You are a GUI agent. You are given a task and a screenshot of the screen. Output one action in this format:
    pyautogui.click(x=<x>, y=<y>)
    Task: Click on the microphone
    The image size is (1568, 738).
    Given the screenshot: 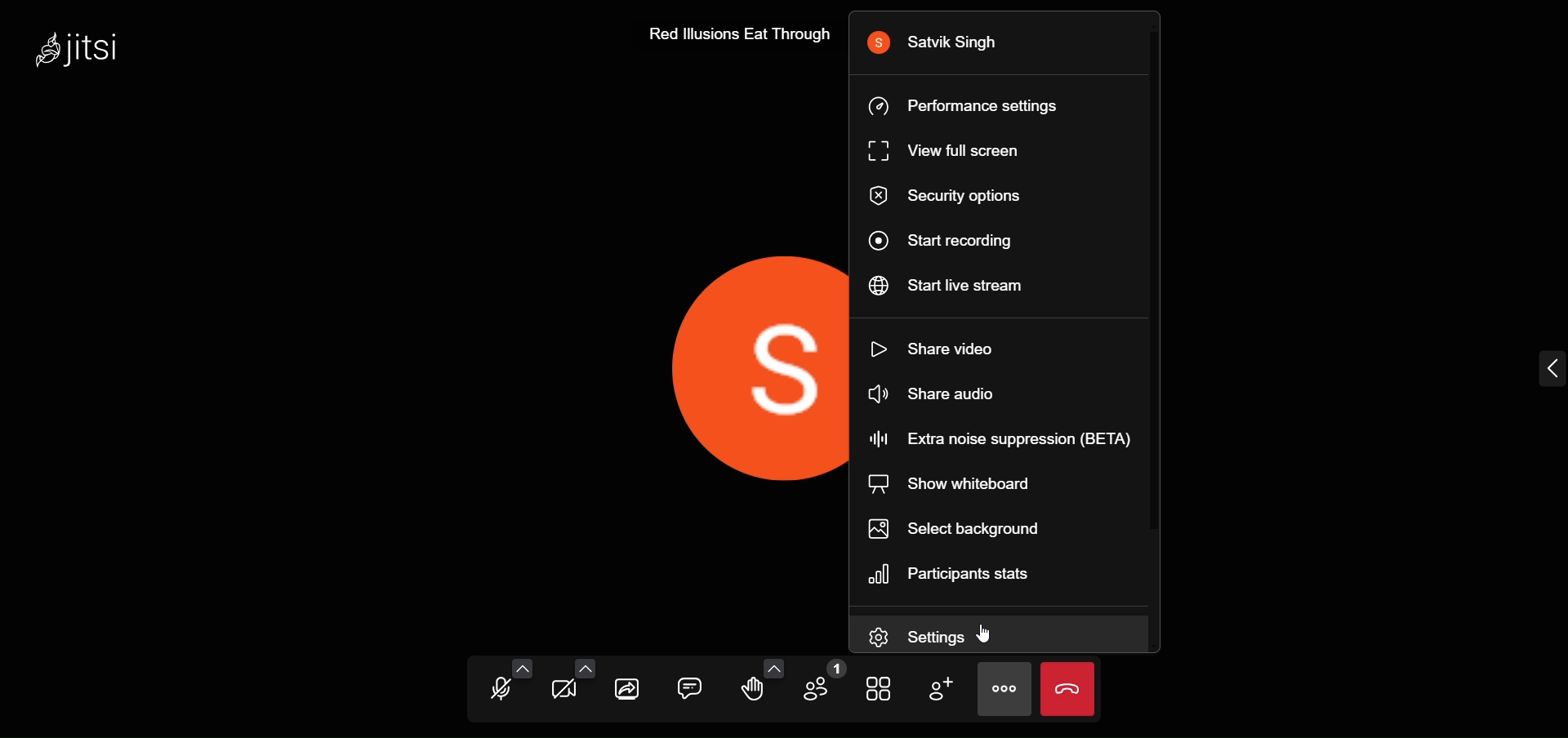 What is the action you would take?
    pyautogui.click(x=500, y=691)
    